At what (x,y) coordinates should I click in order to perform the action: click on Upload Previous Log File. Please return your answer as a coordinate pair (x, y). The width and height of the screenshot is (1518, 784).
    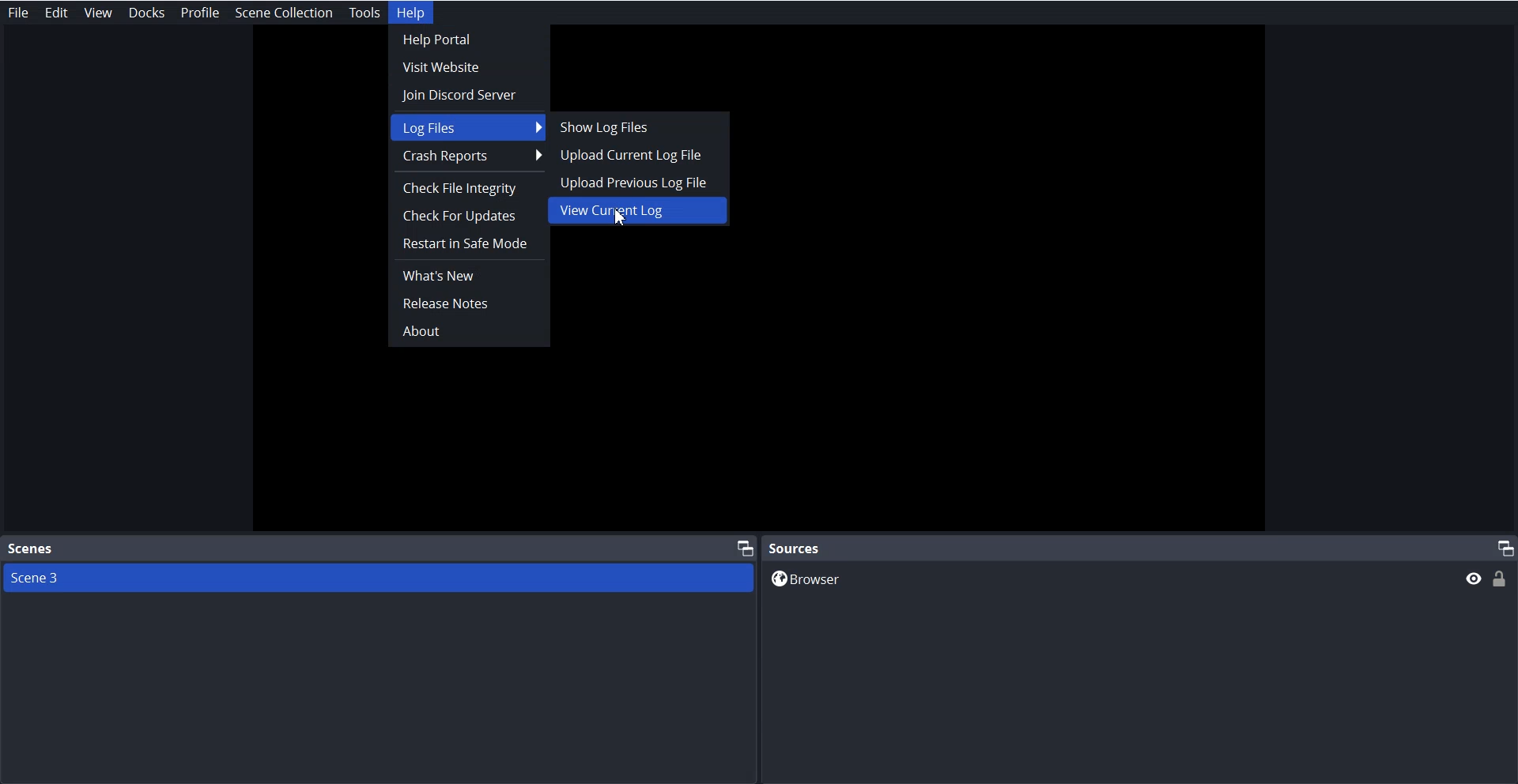
    Looking at the image, I should click on (634, 184).